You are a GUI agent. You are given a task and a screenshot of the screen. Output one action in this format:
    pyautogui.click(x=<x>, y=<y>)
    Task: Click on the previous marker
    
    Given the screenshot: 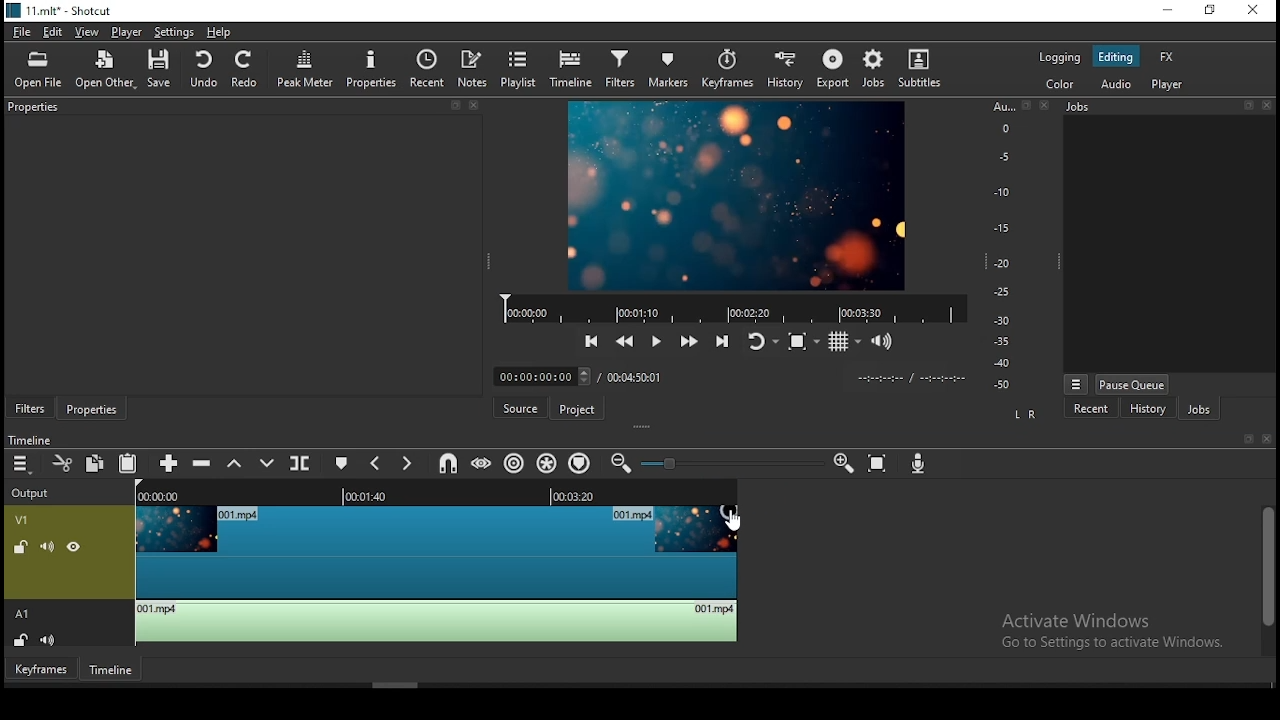 What is the action you would take?
    pyautogui.click(x=375, y=463)
    